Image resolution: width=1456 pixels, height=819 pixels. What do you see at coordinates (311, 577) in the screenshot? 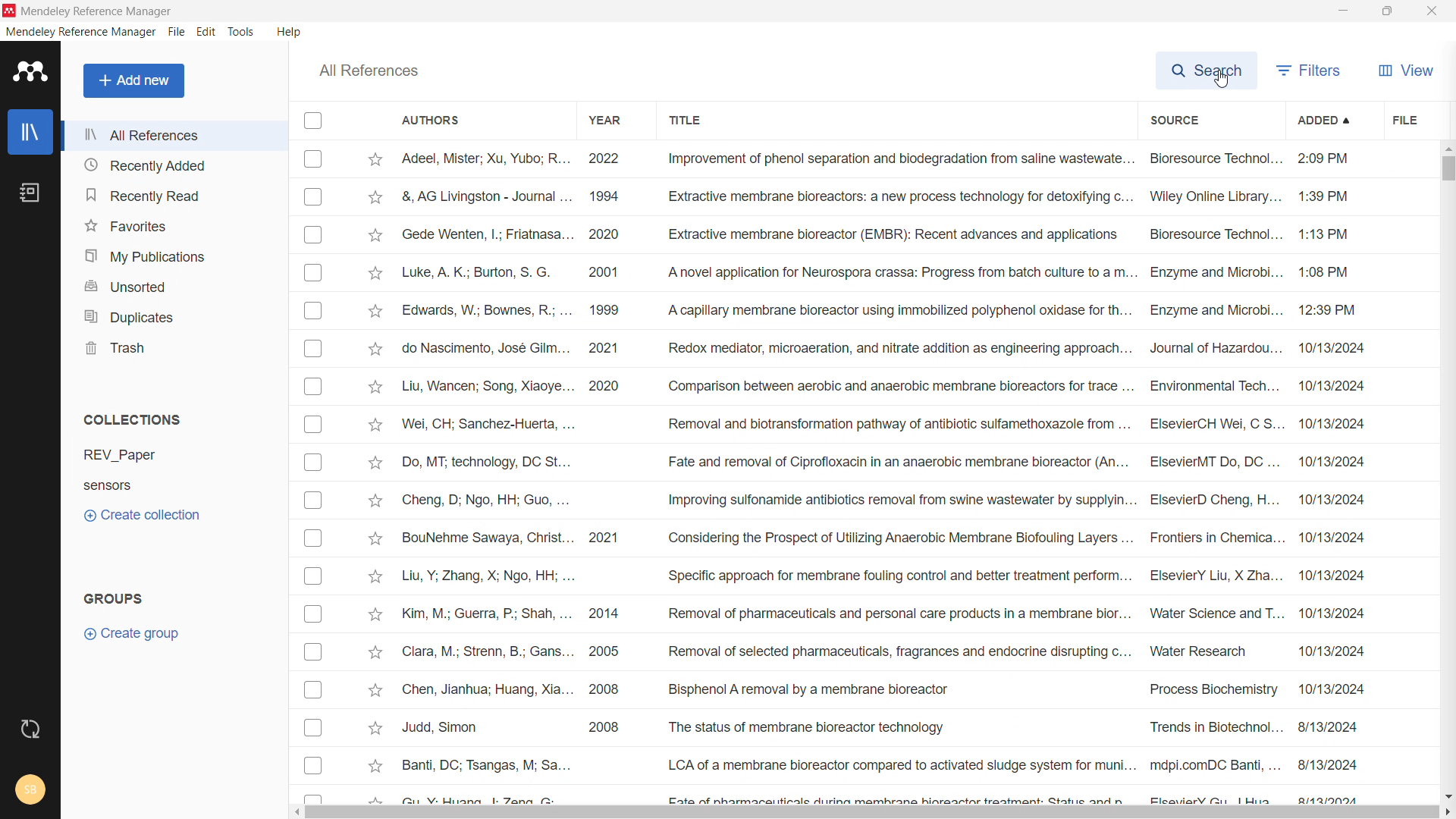
I see `Checkbox` at bounding box center [311, 577].